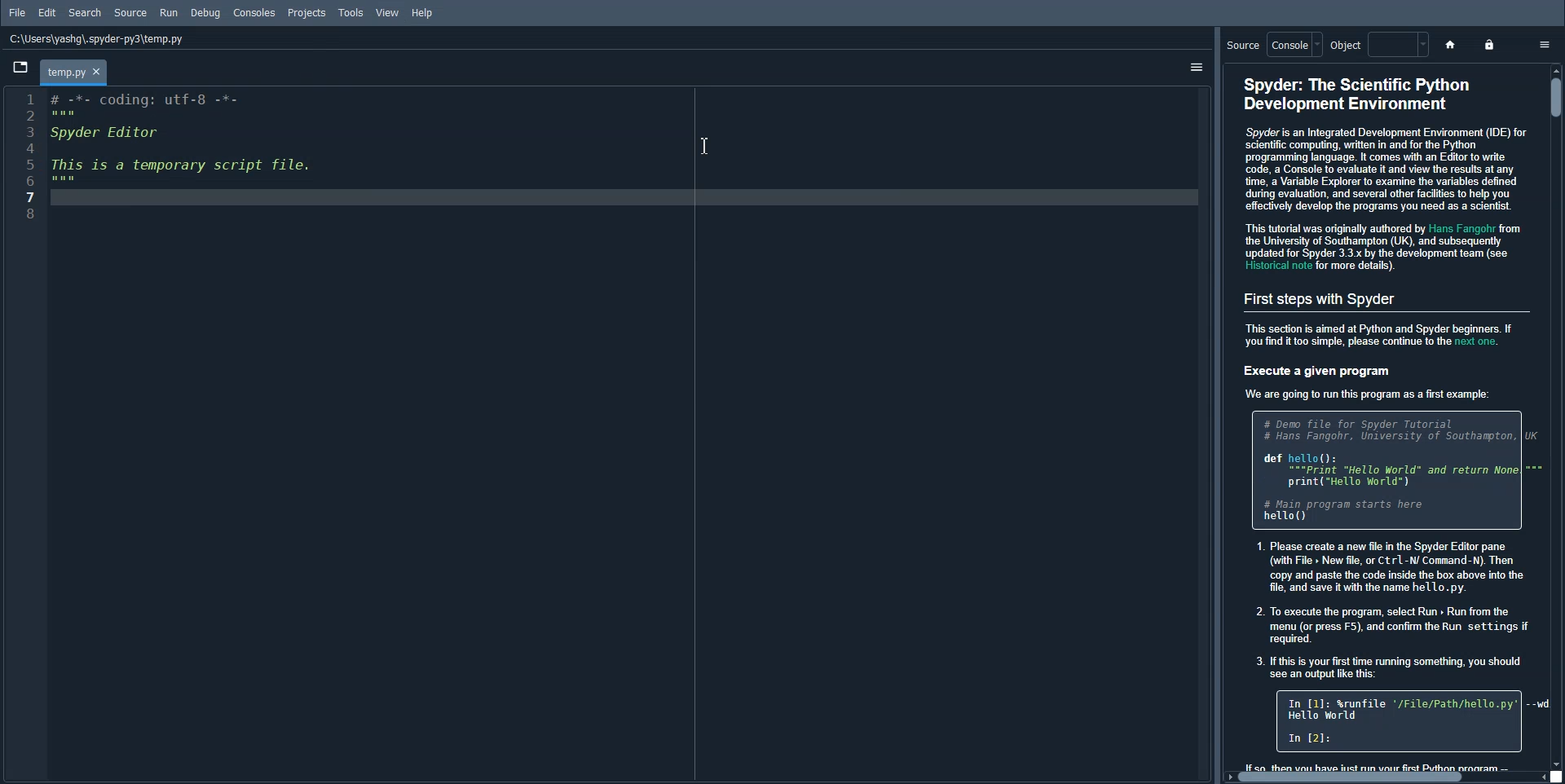 This screenshot has width=1565, height=784. Describe the element at coordinates (170, 11) in the screenshot. I see `Run` at that location.